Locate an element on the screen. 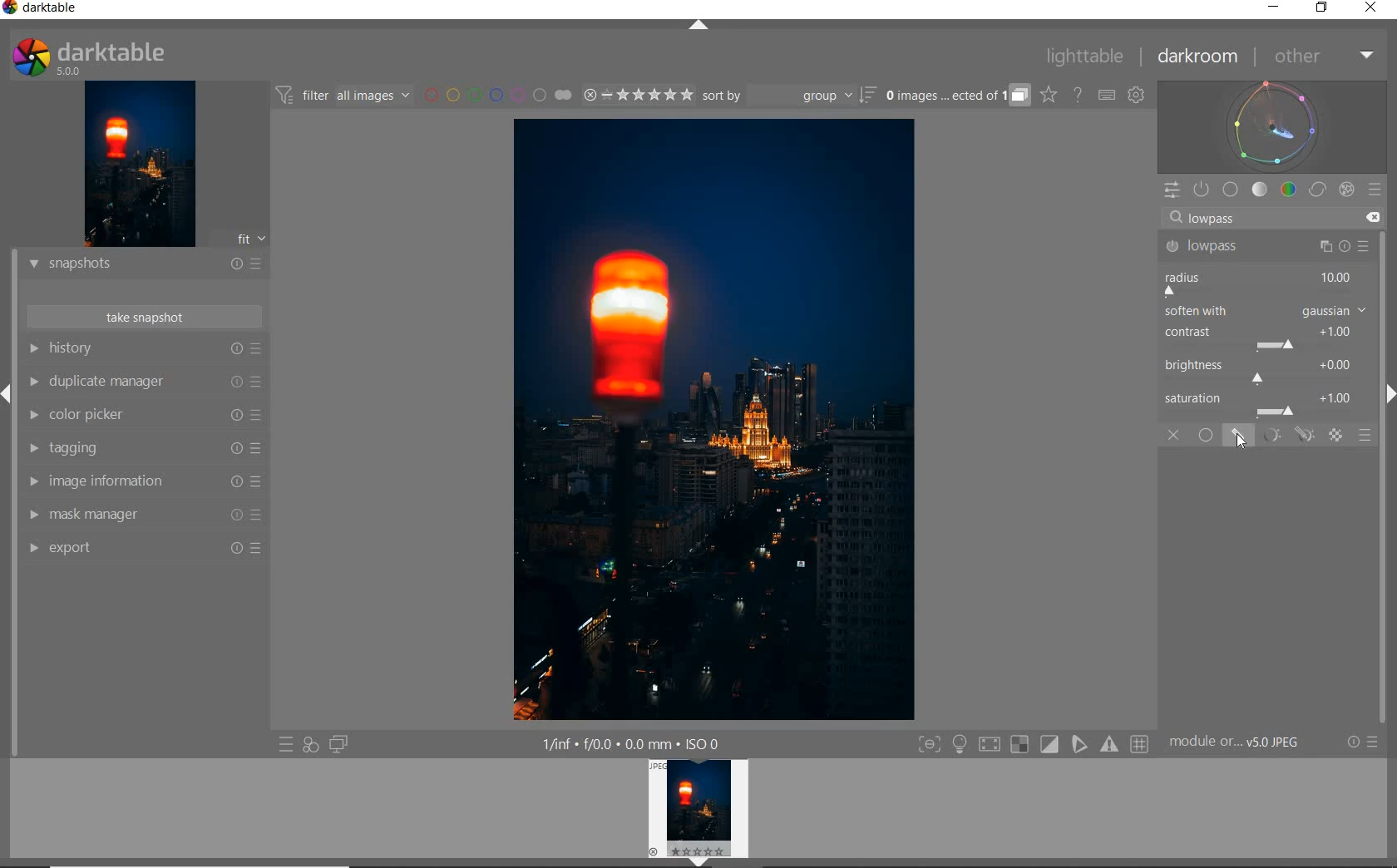 The image size is (1397, 868). MODULE...v5.0 JPEG is located at coordinates (1251, 744).